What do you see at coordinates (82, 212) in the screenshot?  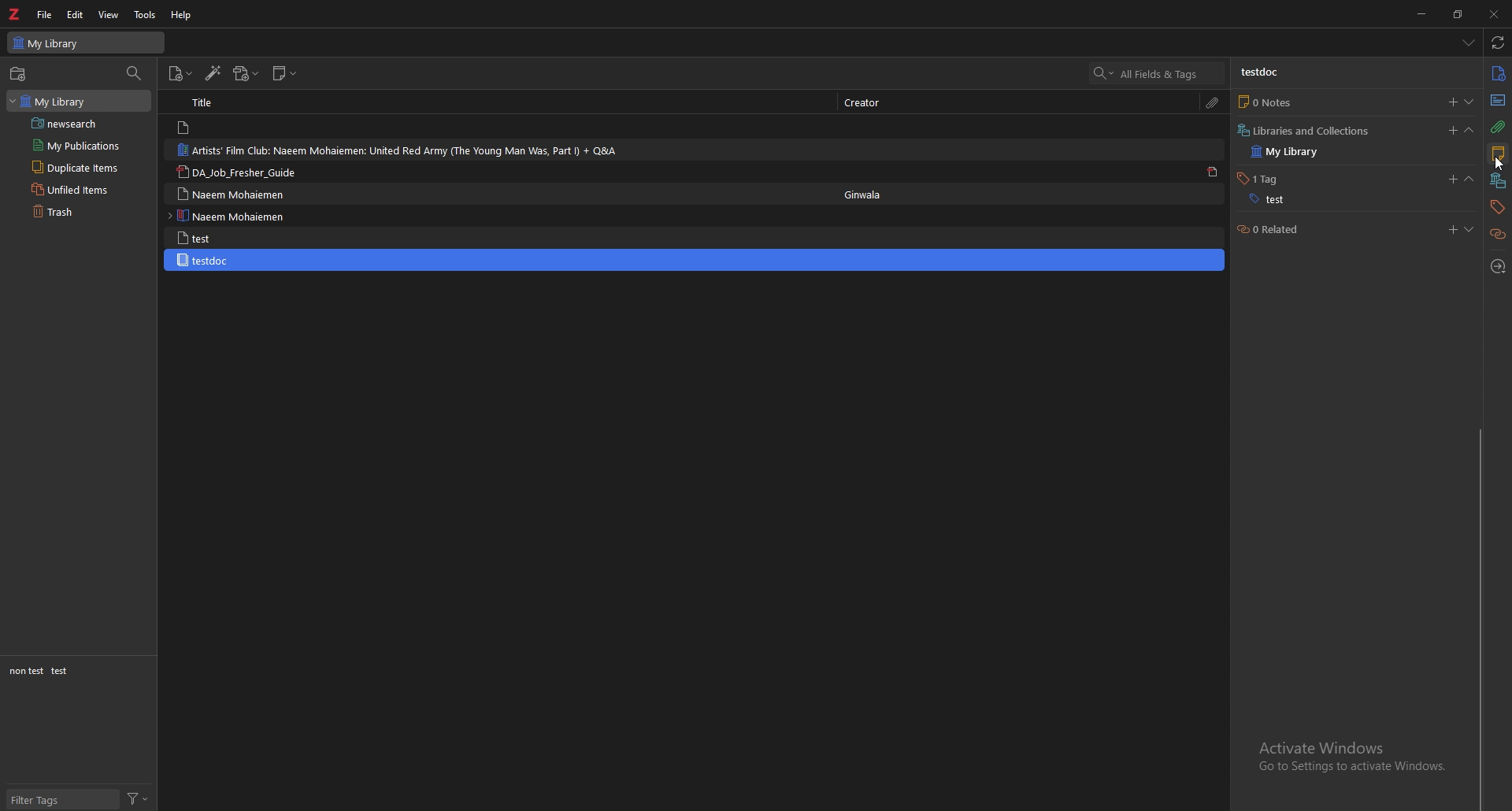 I see `trash` at bounding box center [82, 212].